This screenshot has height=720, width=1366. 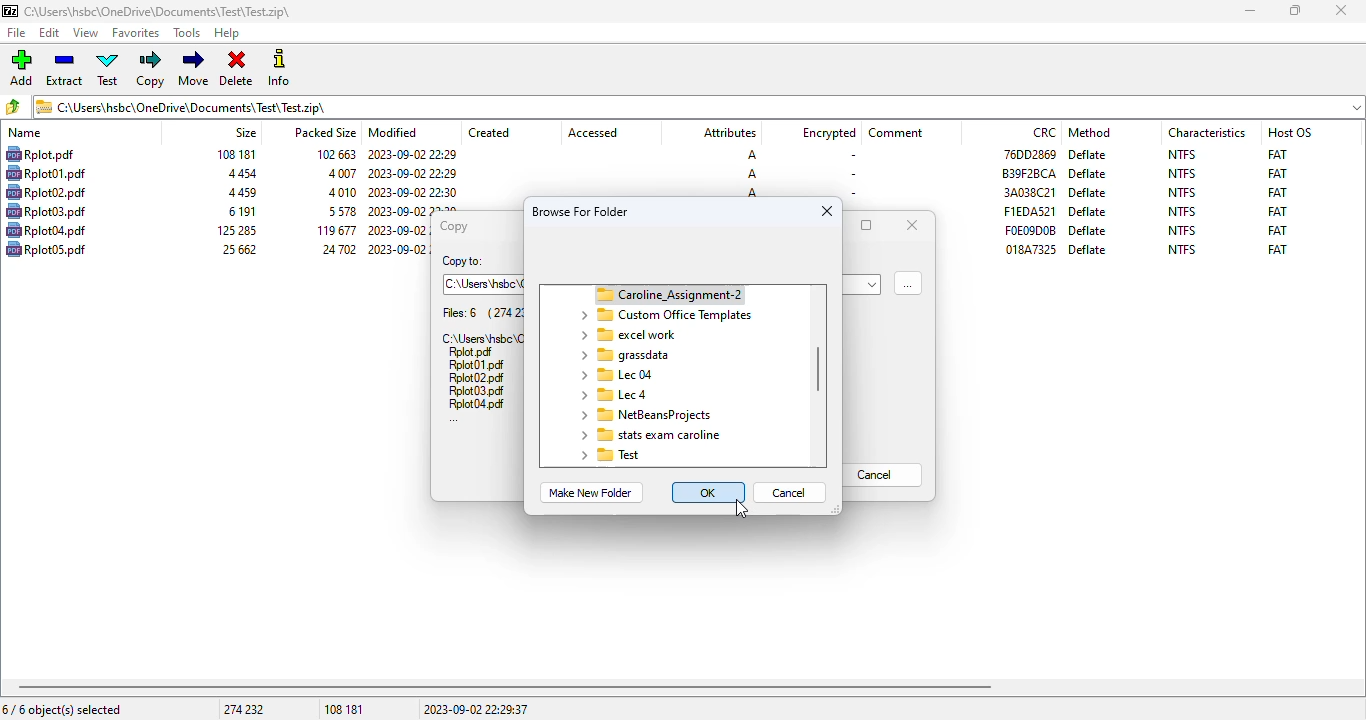 I want to click on A, so click(x=750, y=155).